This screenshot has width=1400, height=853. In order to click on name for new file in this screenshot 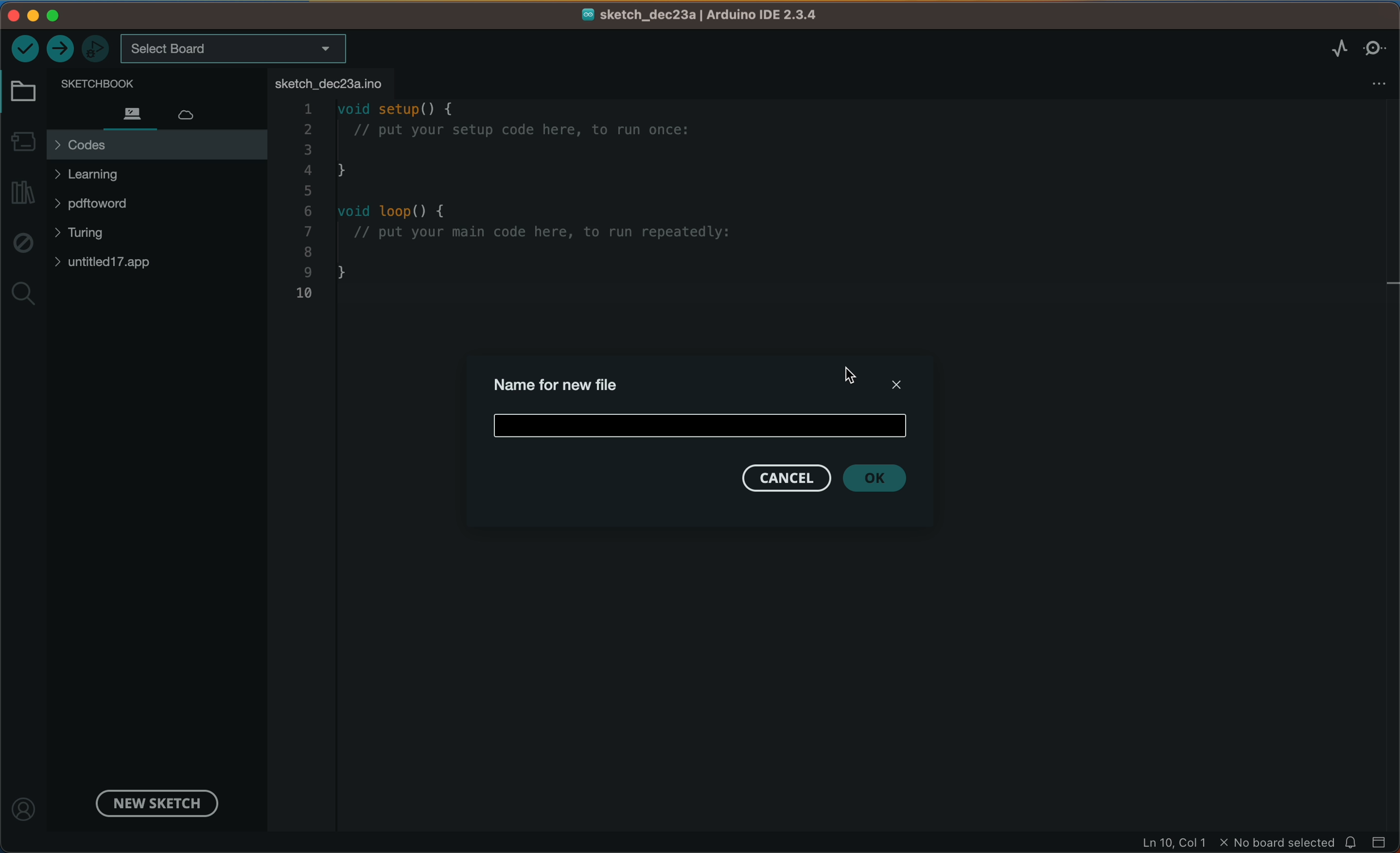, I will do `click(563, 382)`.